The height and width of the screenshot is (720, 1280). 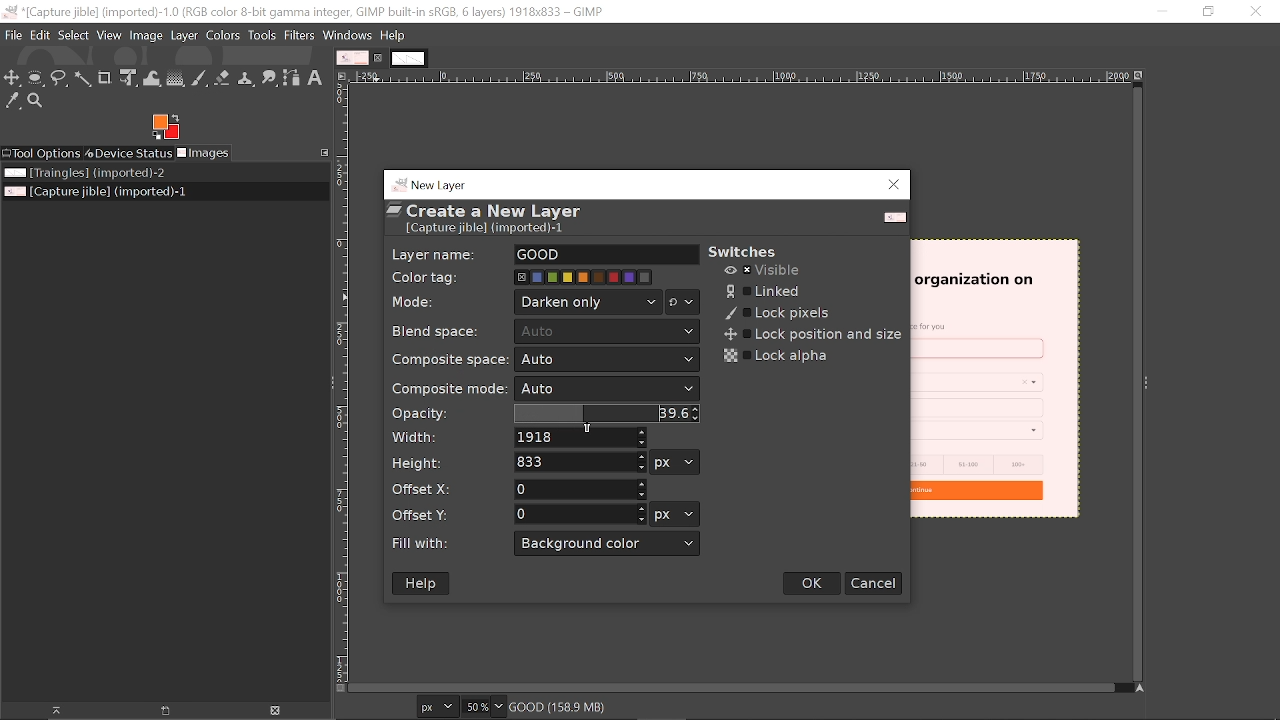 What do you see at coordinates (175, 78) in the screenshot?
I see `Gradient` at bounding box center [175, 78].